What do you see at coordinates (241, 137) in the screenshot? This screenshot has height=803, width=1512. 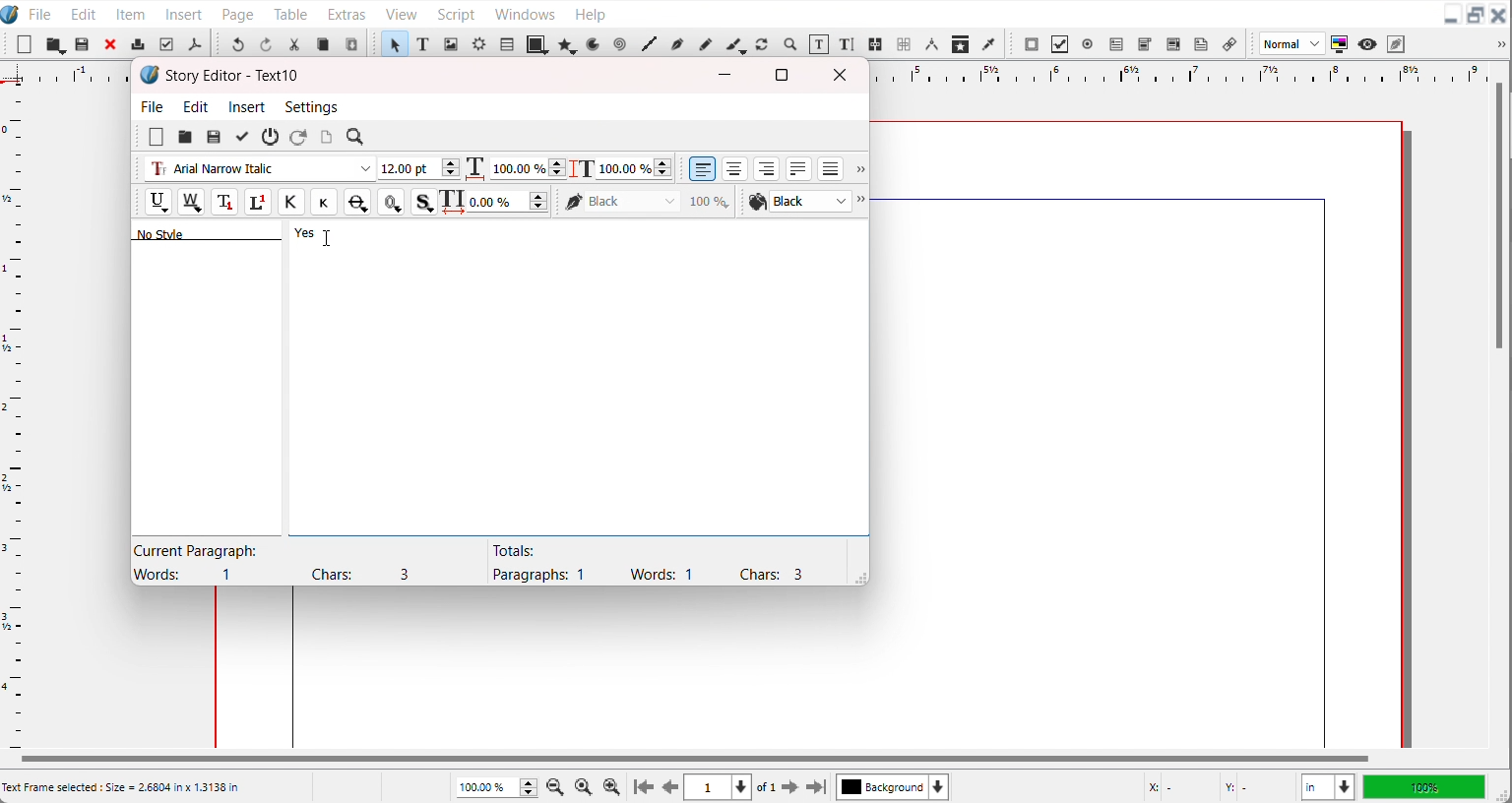 I see `Update` at bounding box center [241, 137].